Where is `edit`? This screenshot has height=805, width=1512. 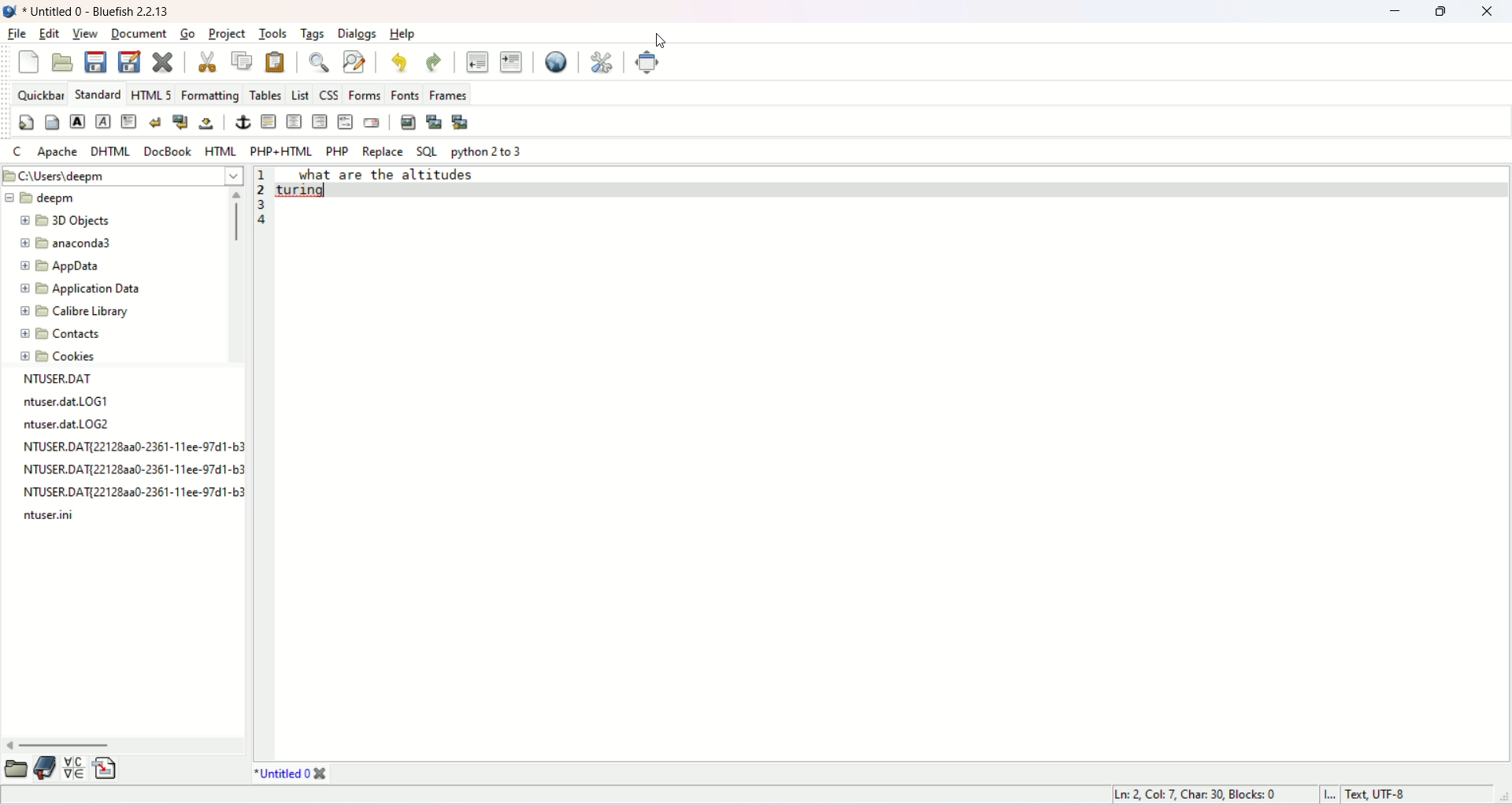 edit is located at coordinates (51, 33).